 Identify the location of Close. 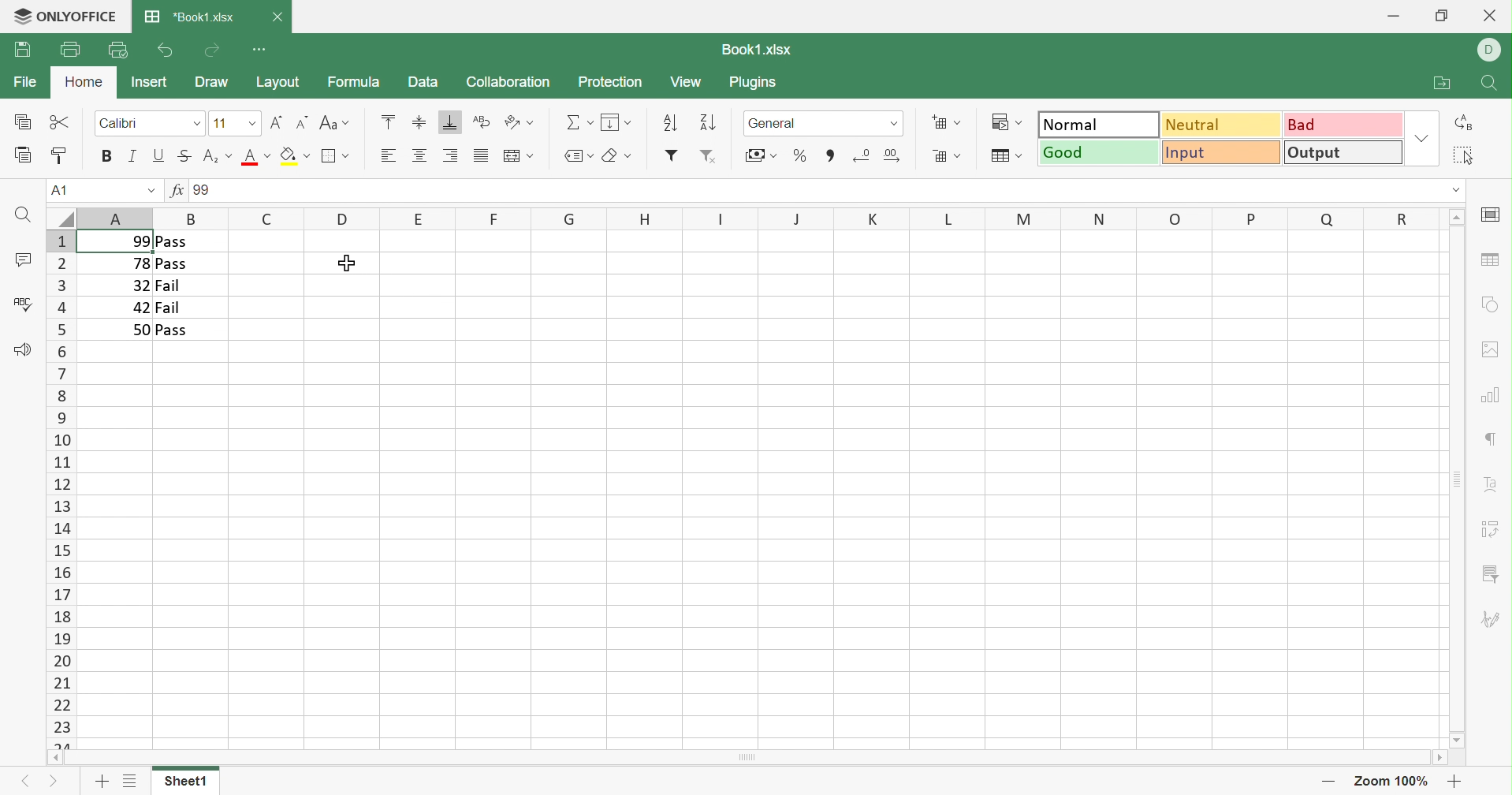
(1493, 14).